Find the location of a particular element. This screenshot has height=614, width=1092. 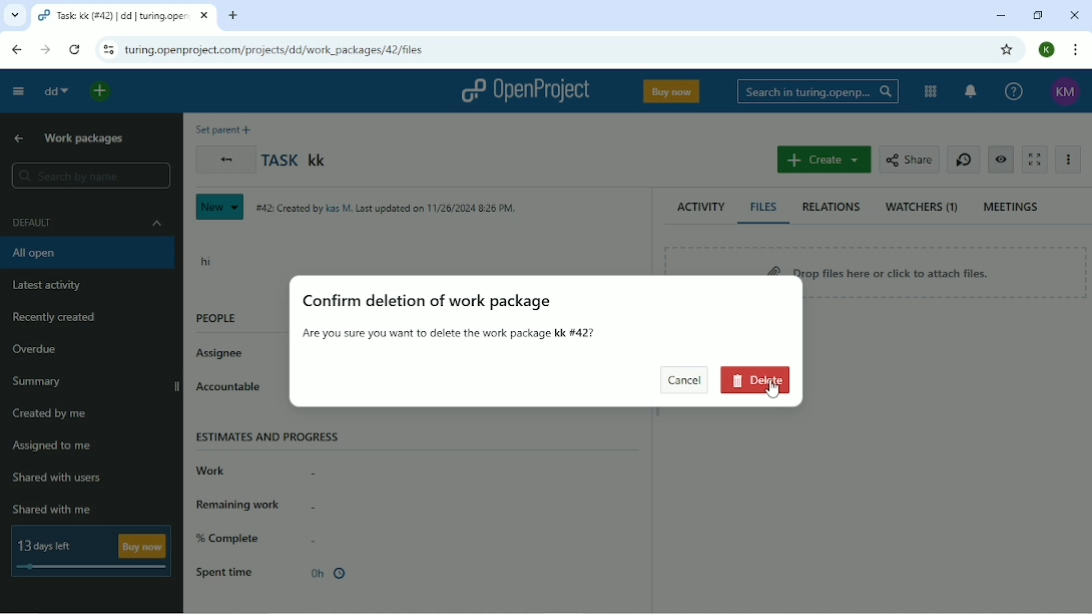

dd is located at coordinates (56, 92).